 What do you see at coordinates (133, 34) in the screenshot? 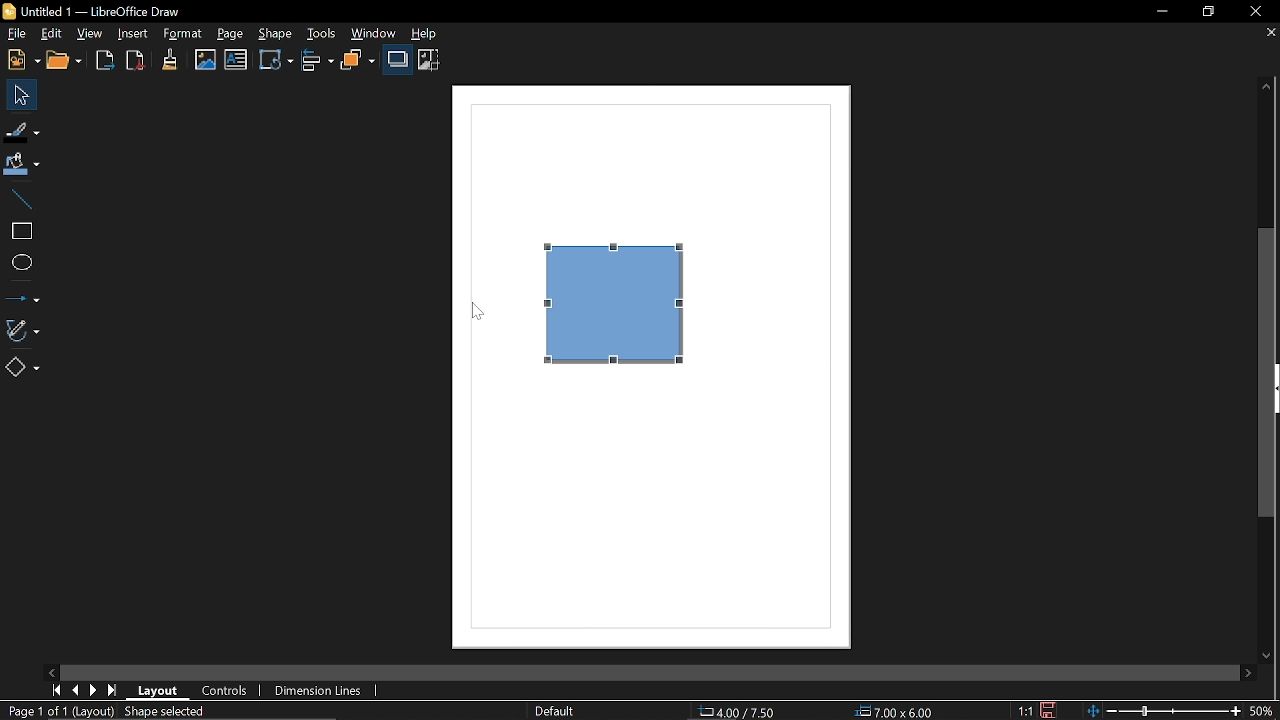
I see `Insert` at bounding box center [133, 34].